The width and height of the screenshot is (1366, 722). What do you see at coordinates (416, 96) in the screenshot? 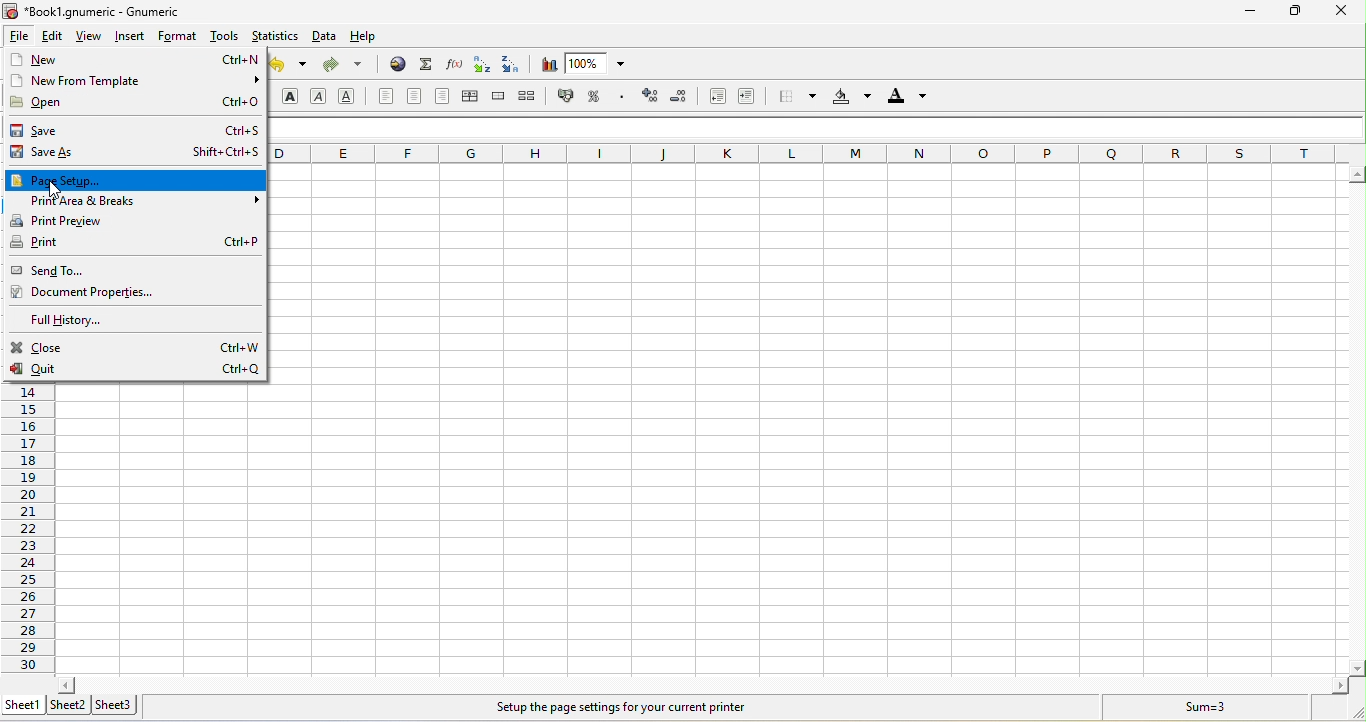
I see `center` at bounding box center [416, 96].